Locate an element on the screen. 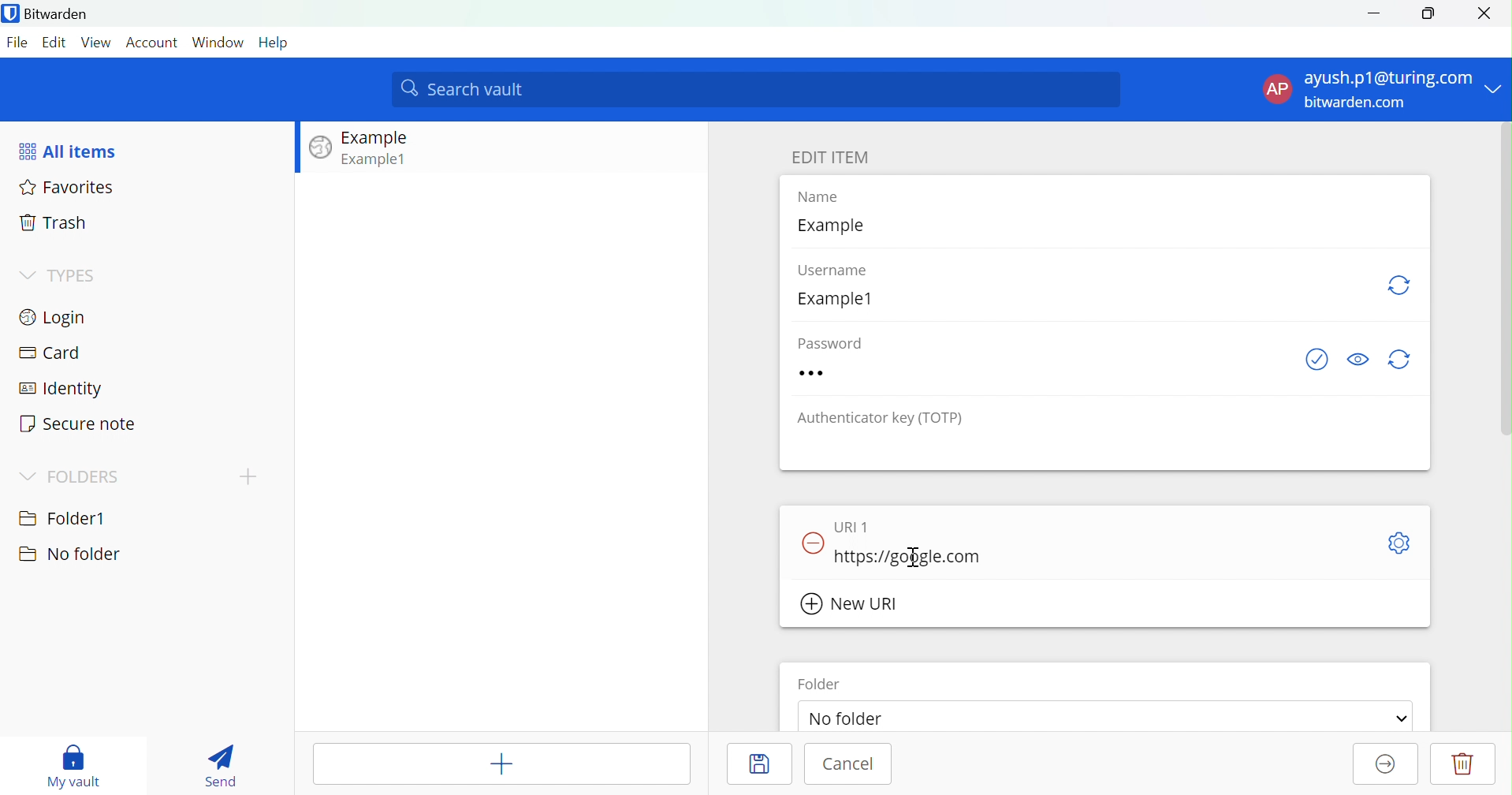 This screenshot has width=1512, height=795. Folder is located at coordinates (821, 684).